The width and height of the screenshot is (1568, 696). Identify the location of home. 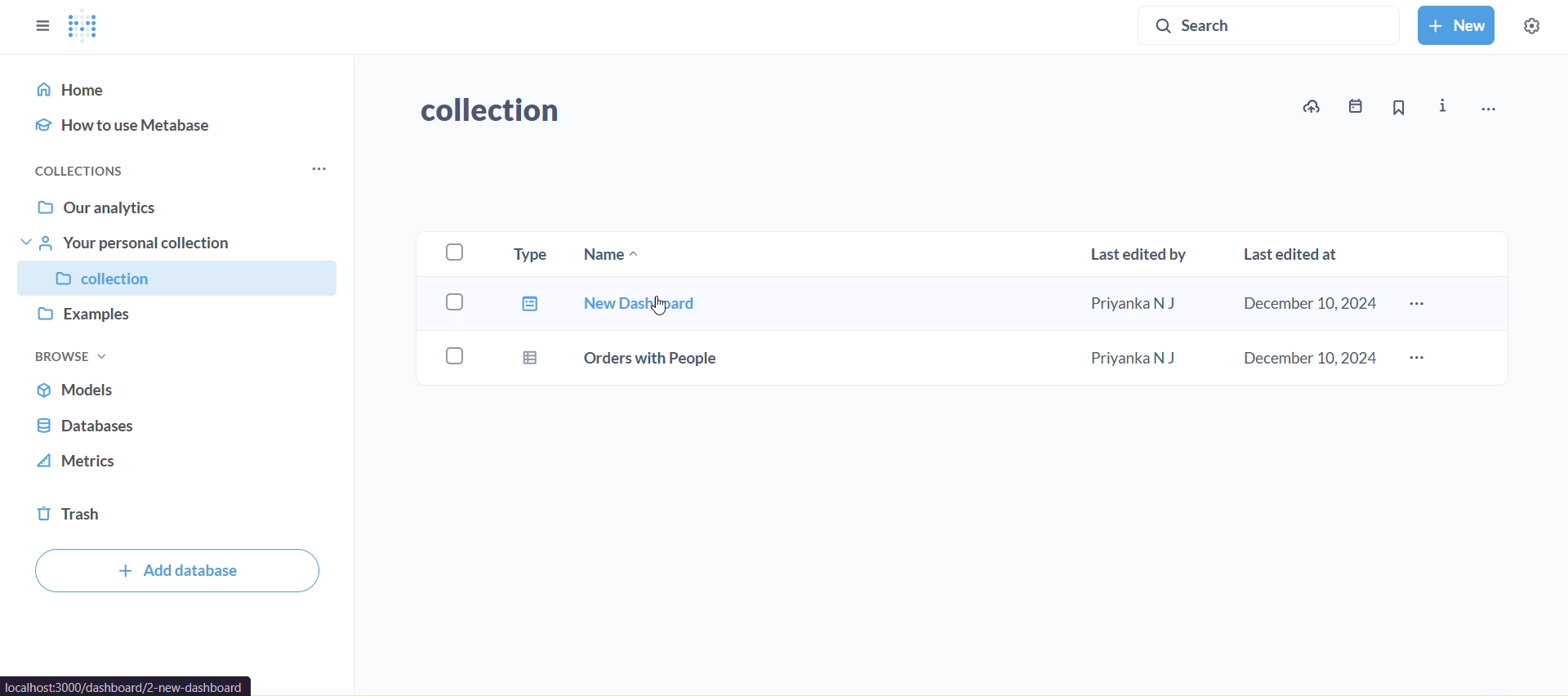
(178, 88).